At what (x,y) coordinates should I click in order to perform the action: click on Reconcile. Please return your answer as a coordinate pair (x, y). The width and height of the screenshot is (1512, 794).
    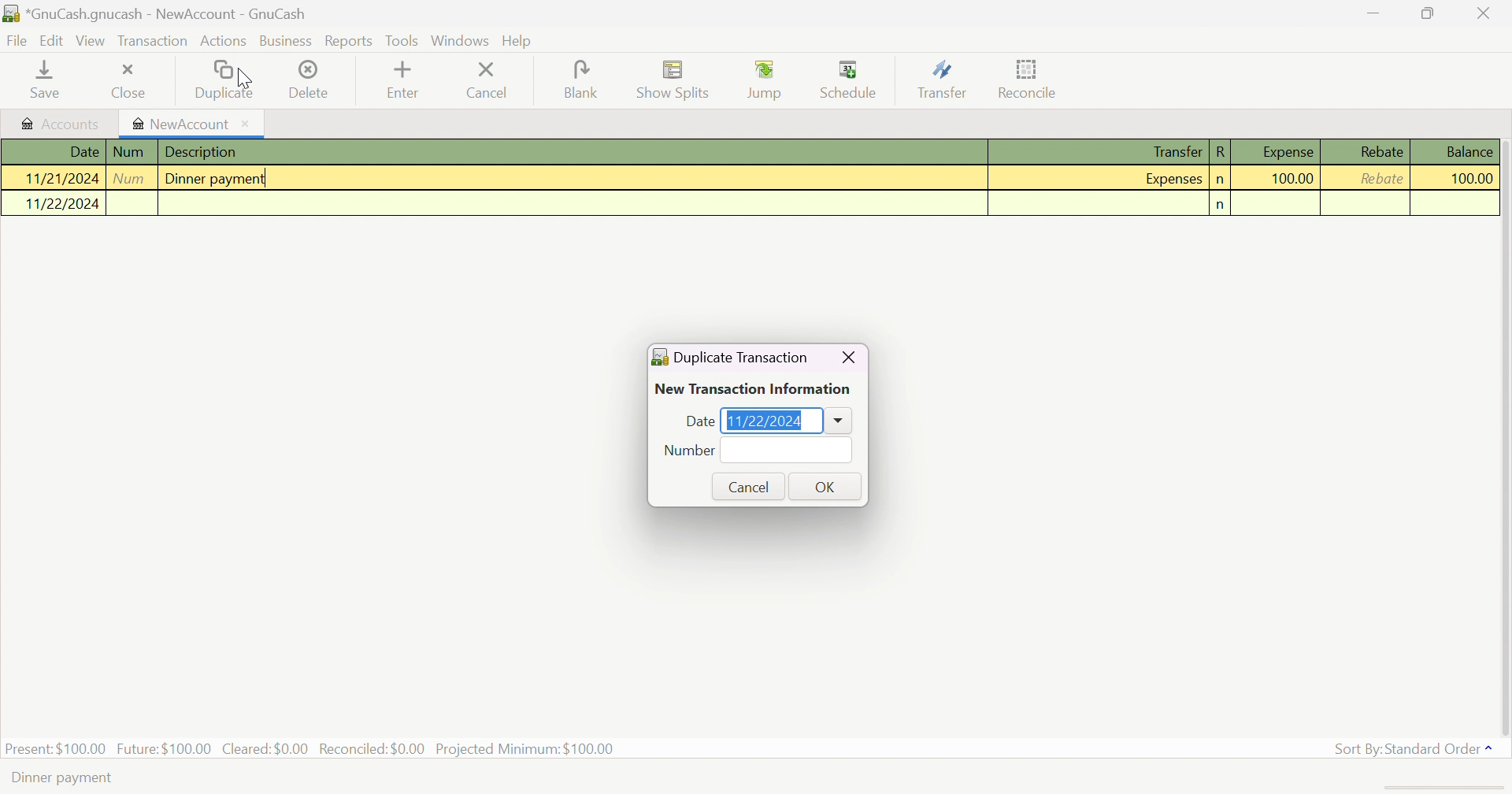
    Looking at the image, I should click on (1029, 76).